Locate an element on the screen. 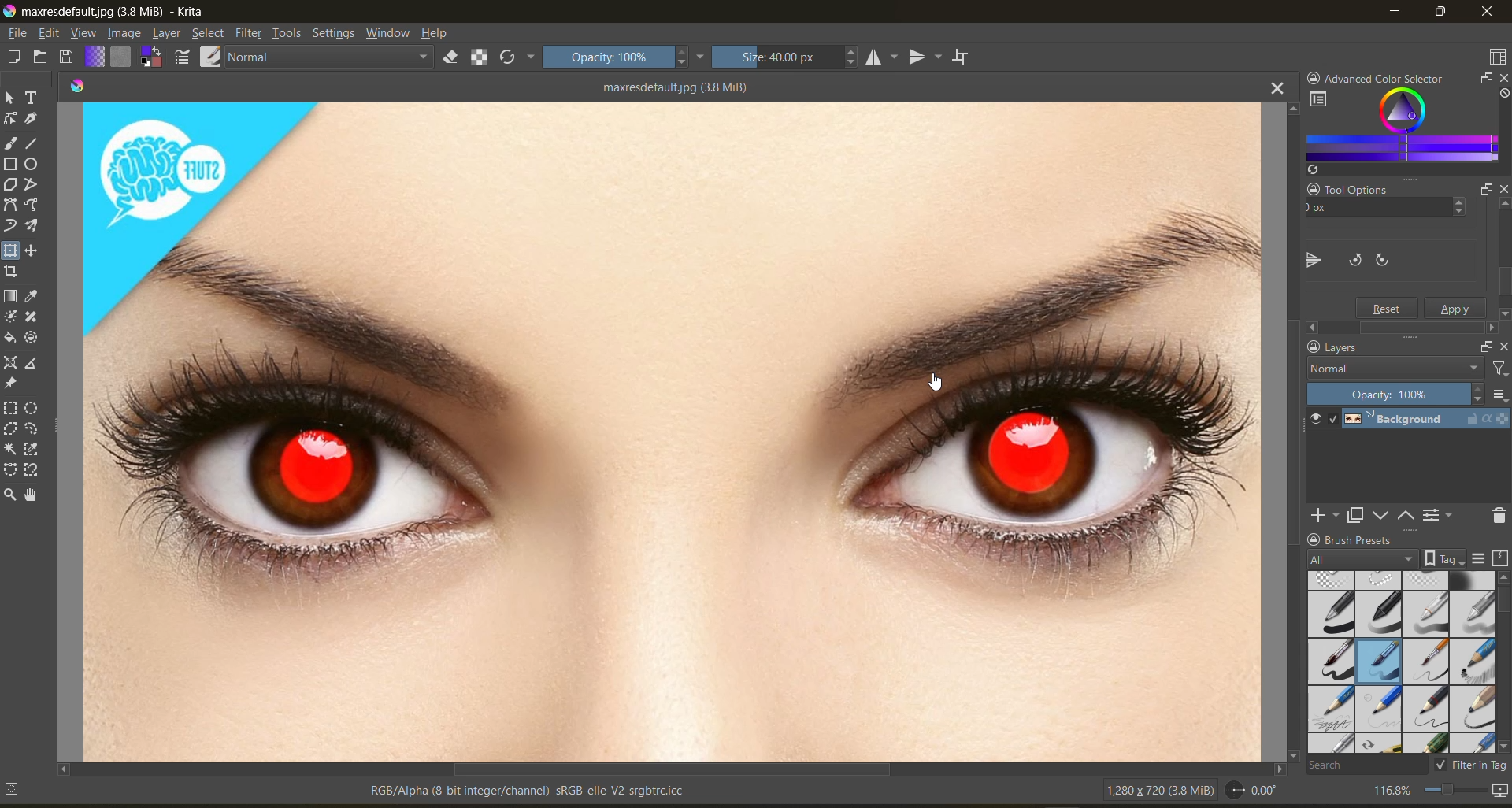 This screenshot has width=1512, height=808. opacity is located at coordinates (624, 59).